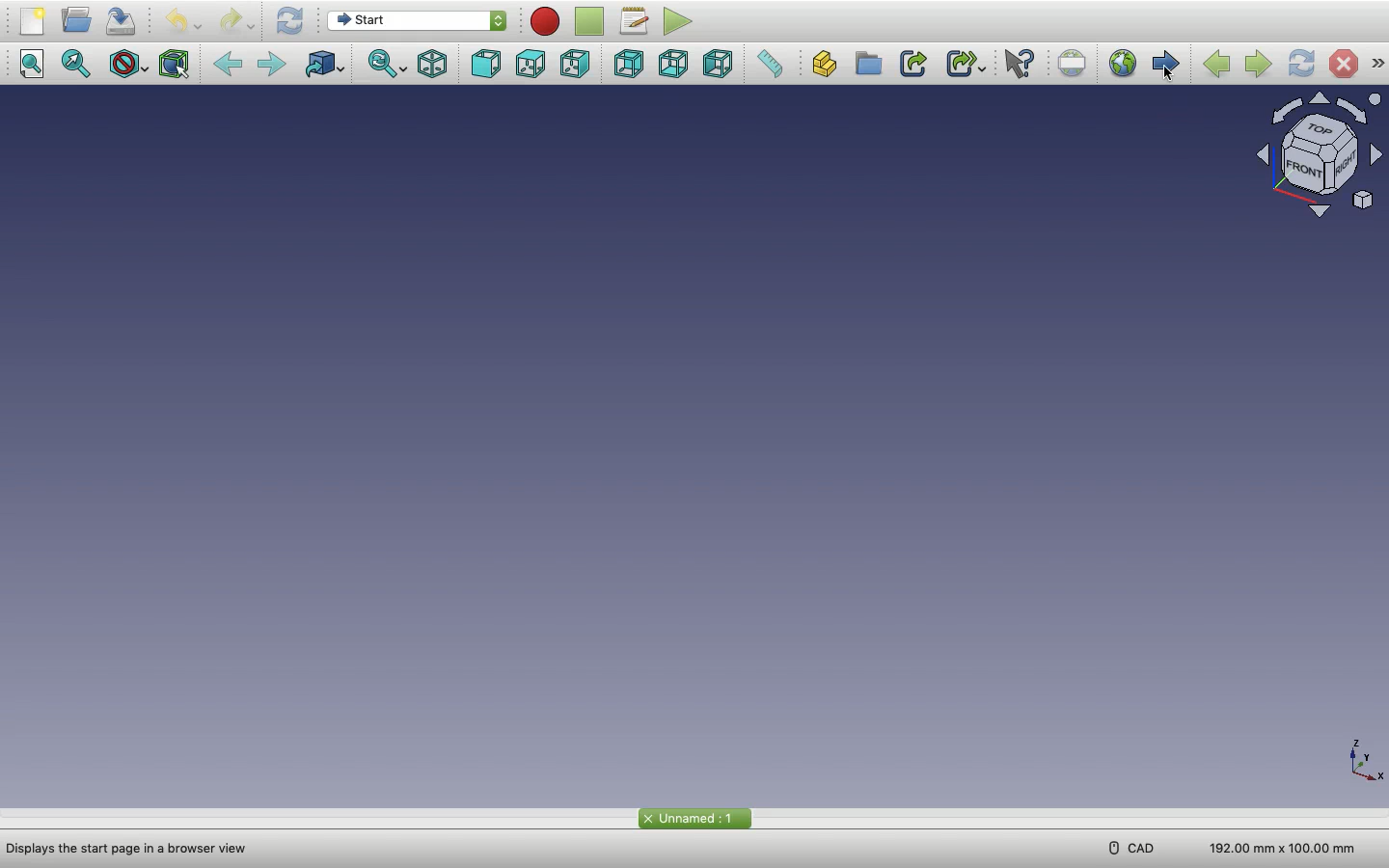  What do you see at coordinates (1073, 65) in the screenshot?
I see `Set URL` at bounding box center [1073, 65].